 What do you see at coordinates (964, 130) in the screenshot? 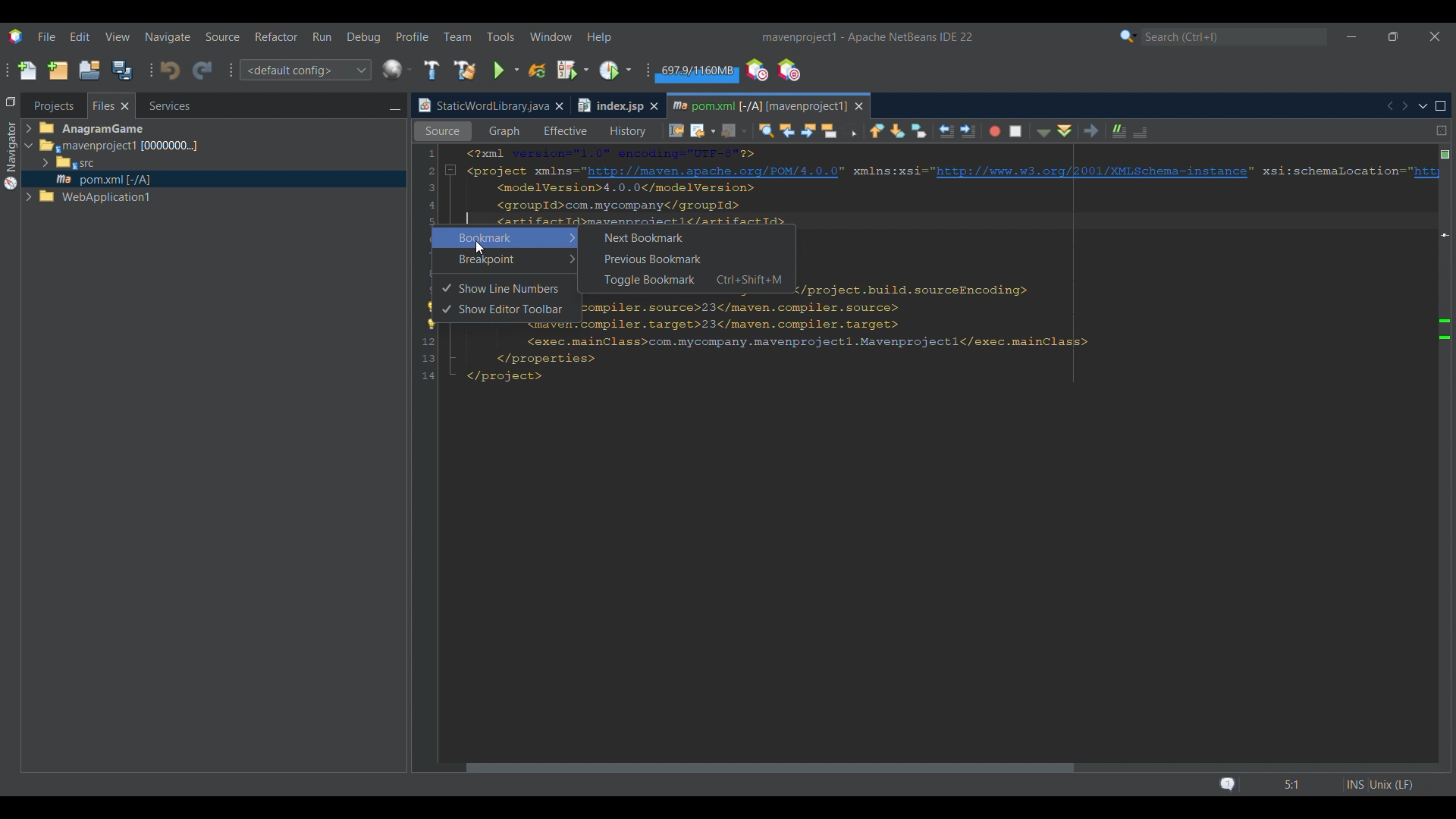
I see `Shift line right` at bounding box center [964, 130].